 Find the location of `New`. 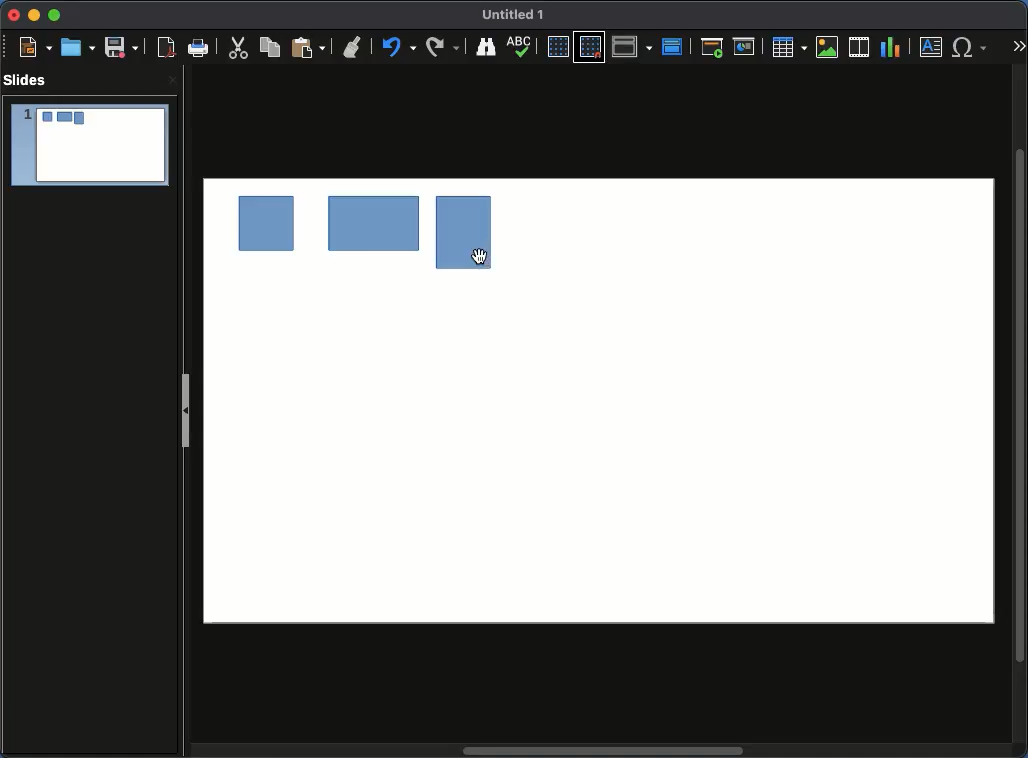

New is located at coordinates (30, 47).